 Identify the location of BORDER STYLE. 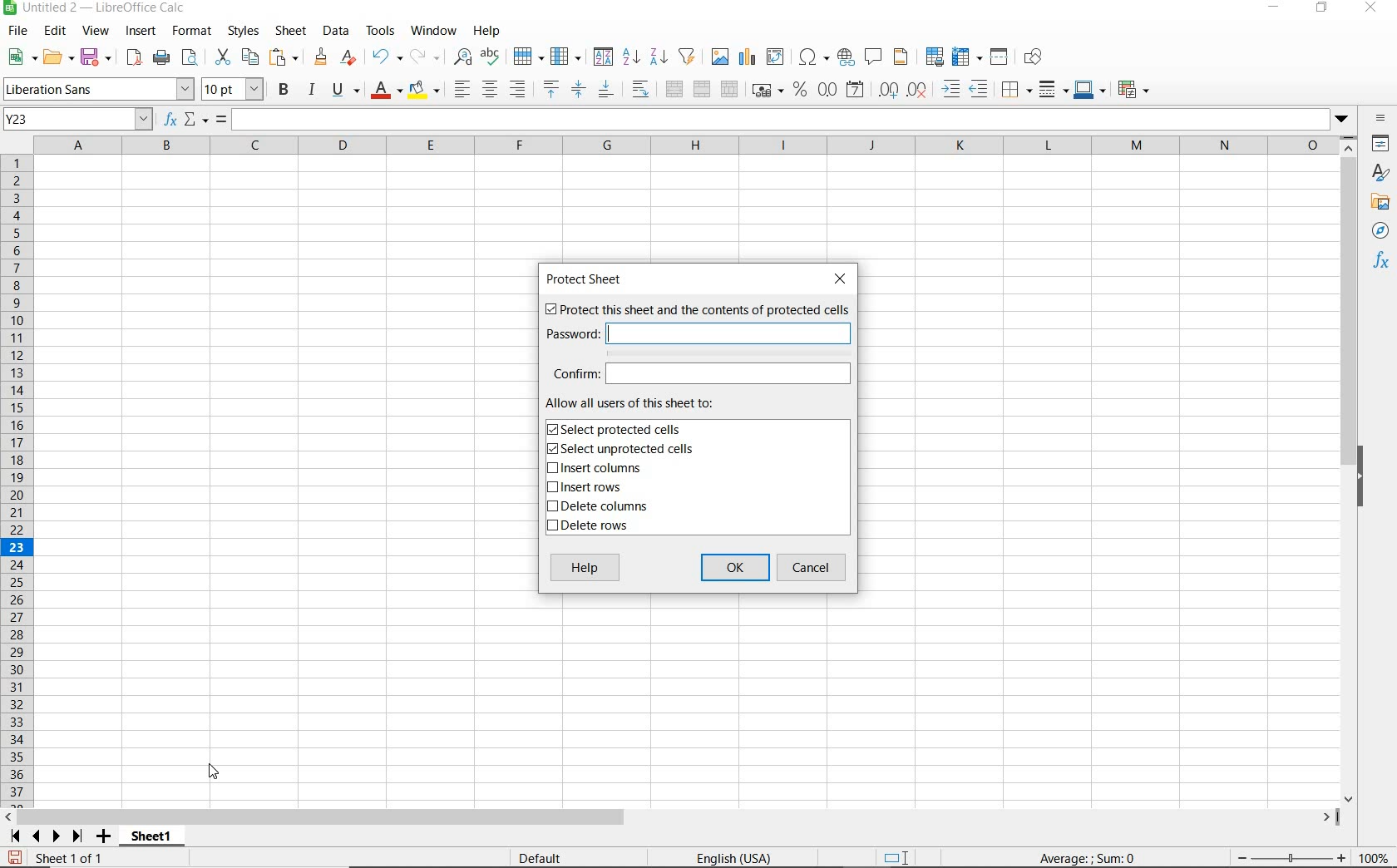
(1051, 89).